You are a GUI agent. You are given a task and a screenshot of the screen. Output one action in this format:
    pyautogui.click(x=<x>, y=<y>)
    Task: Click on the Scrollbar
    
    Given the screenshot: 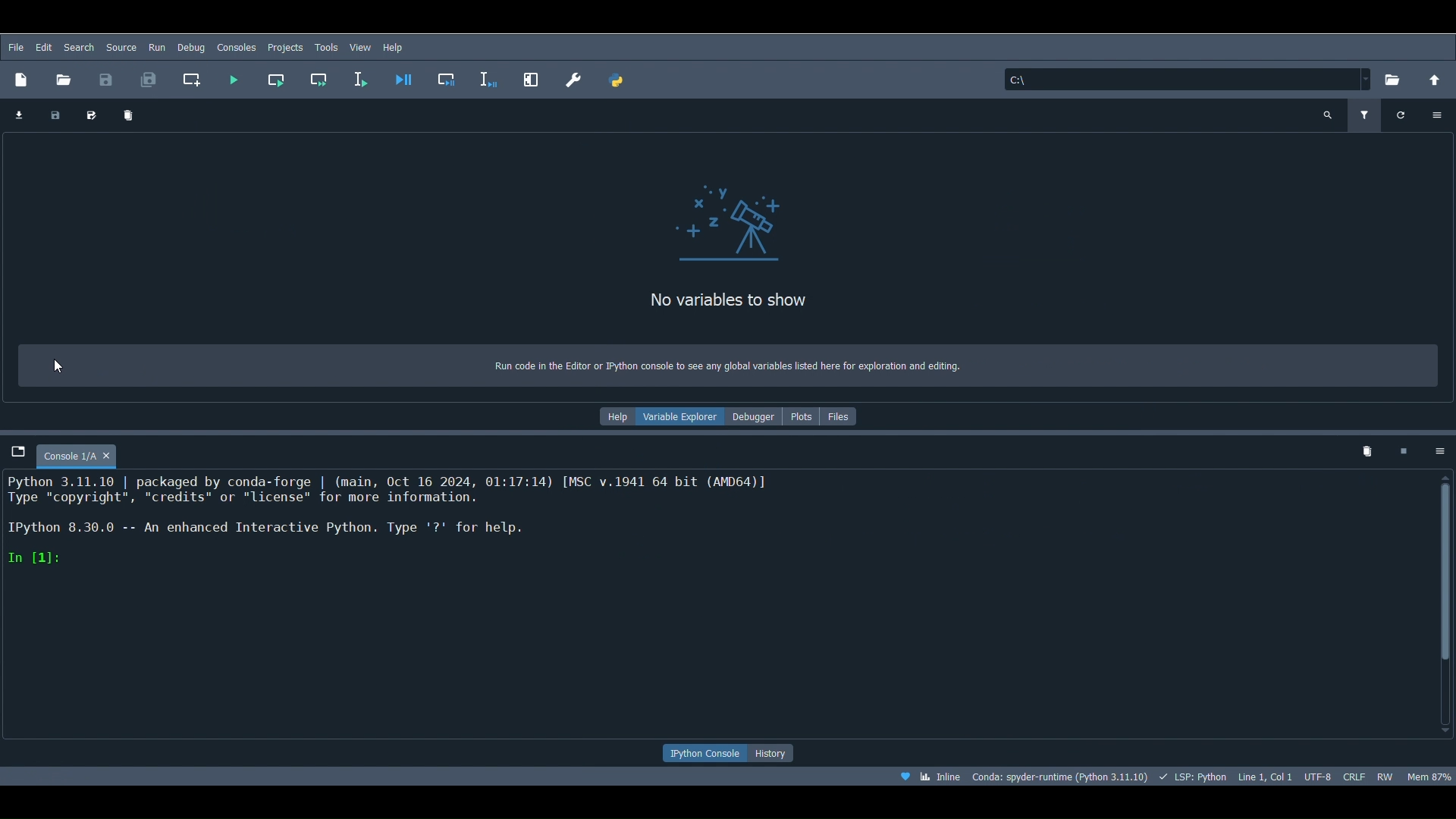 What is the action you would take?
    pyautogui.click(x=1448, y=604)
    